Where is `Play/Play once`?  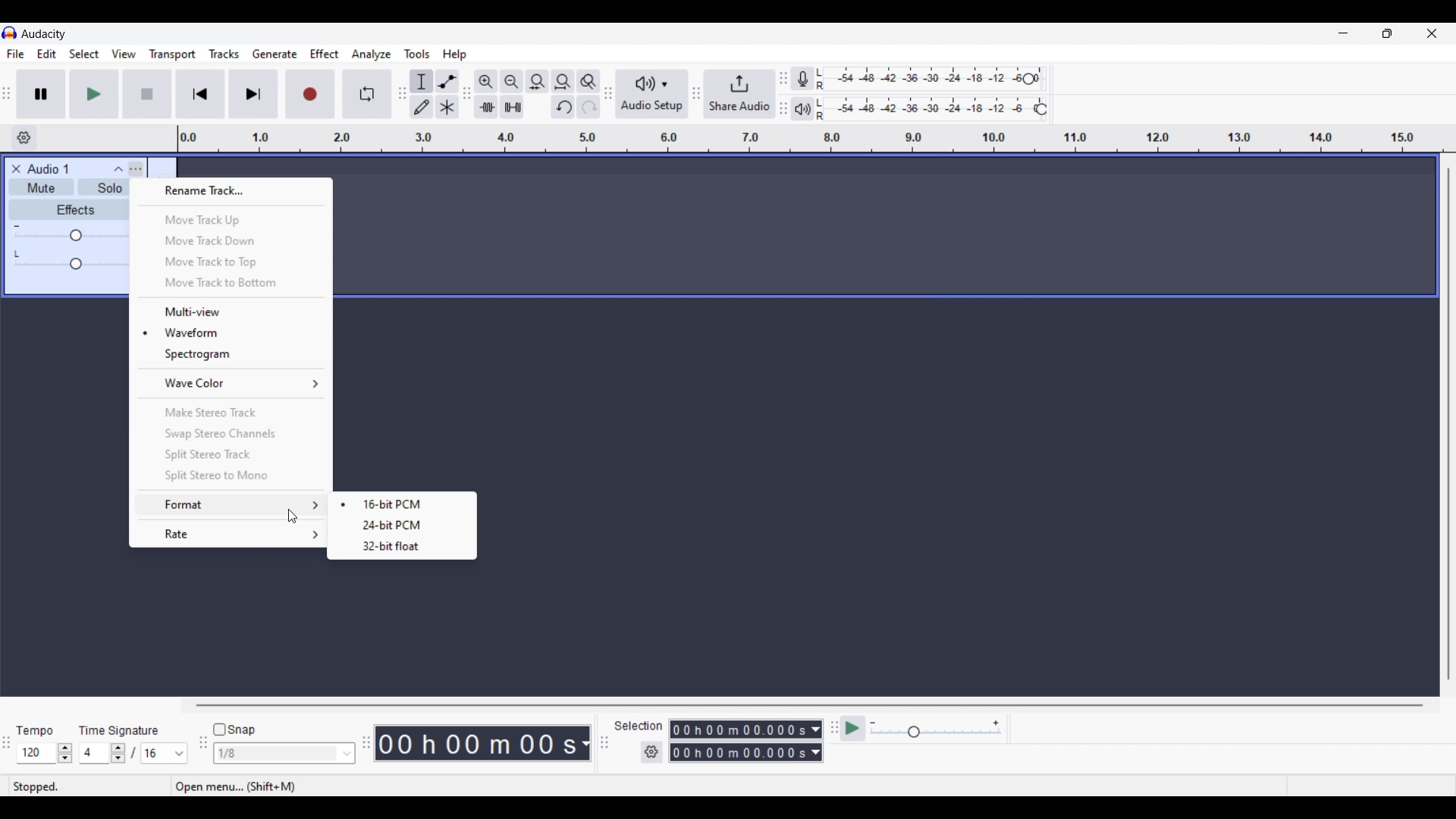 Play/Play once is located at coordinates (94, 93).